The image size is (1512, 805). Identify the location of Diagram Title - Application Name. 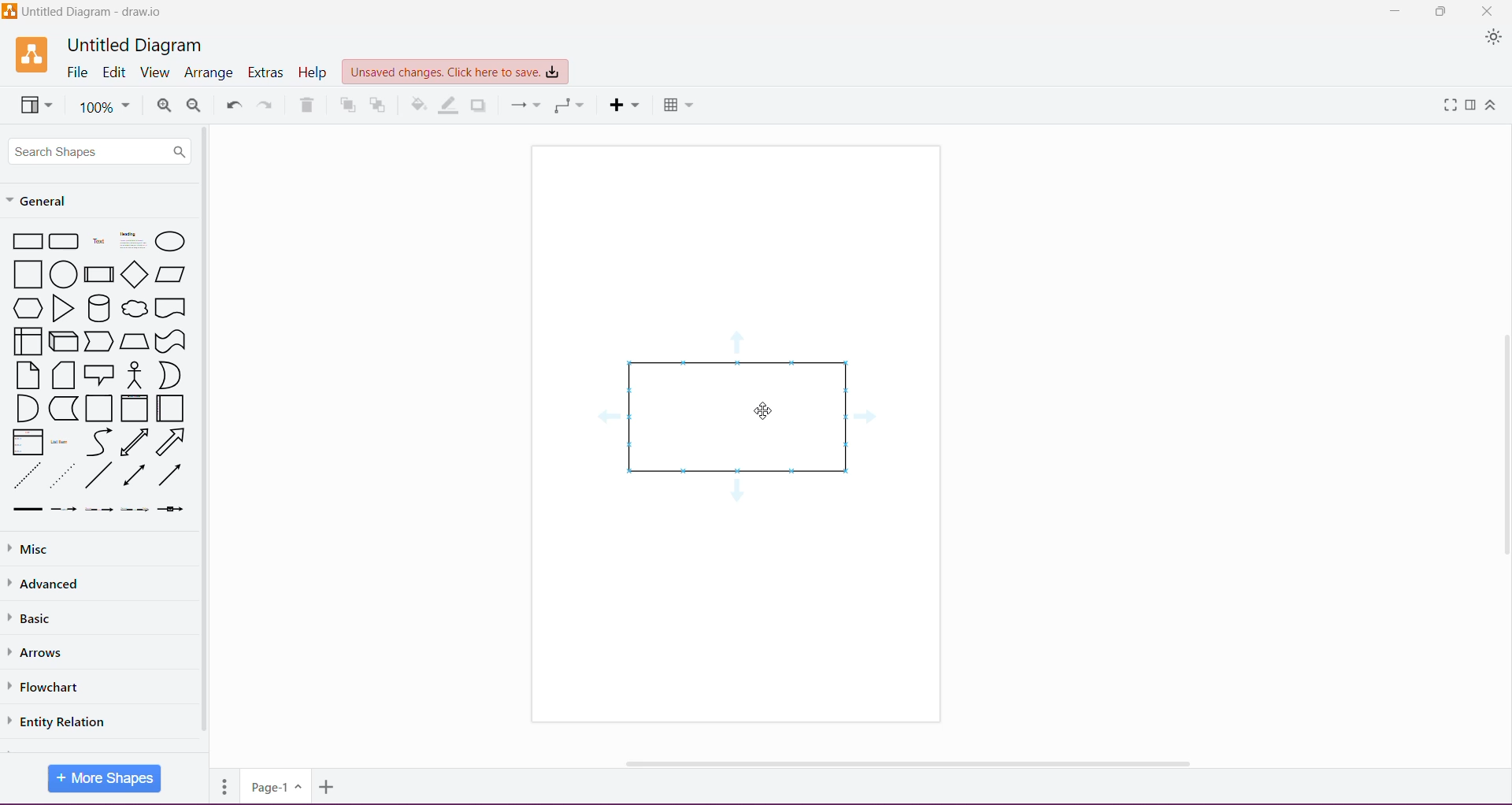
(84, 11).